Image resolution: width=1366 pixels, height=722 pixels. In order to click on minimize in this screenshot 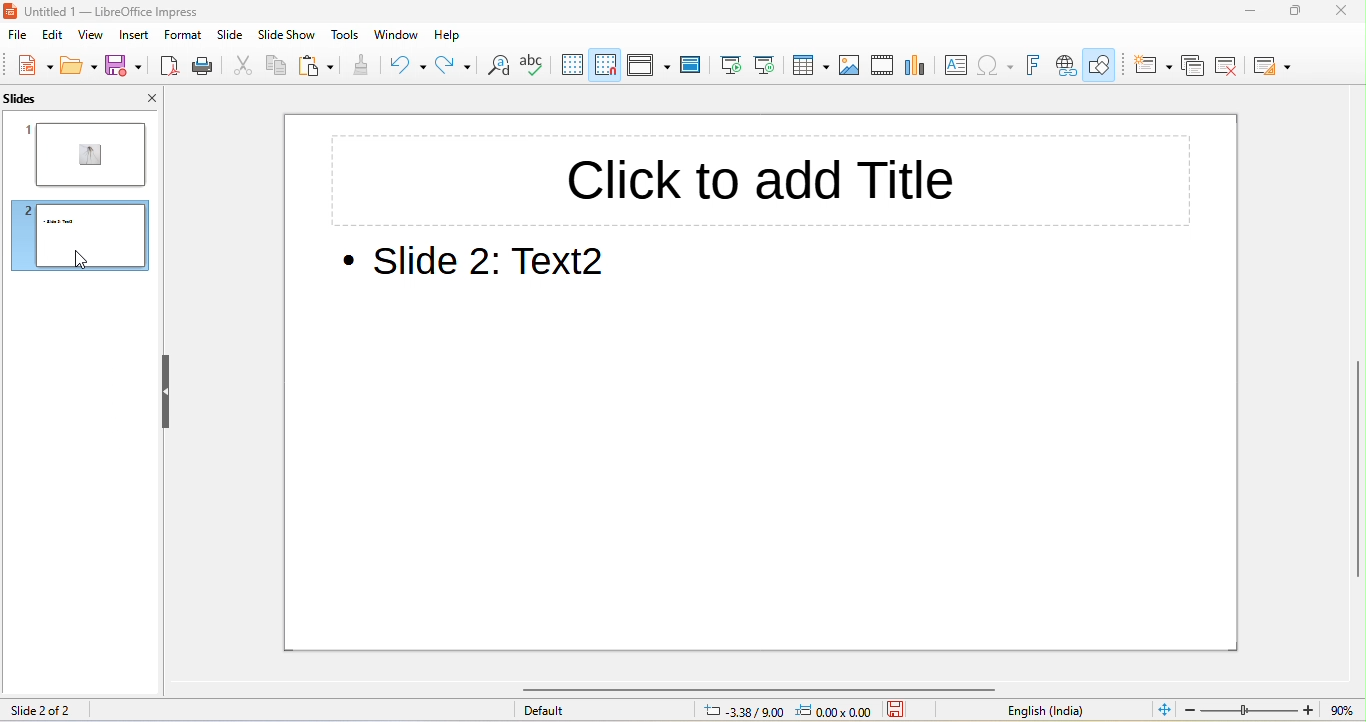, I will do `click(1238, 11)`.